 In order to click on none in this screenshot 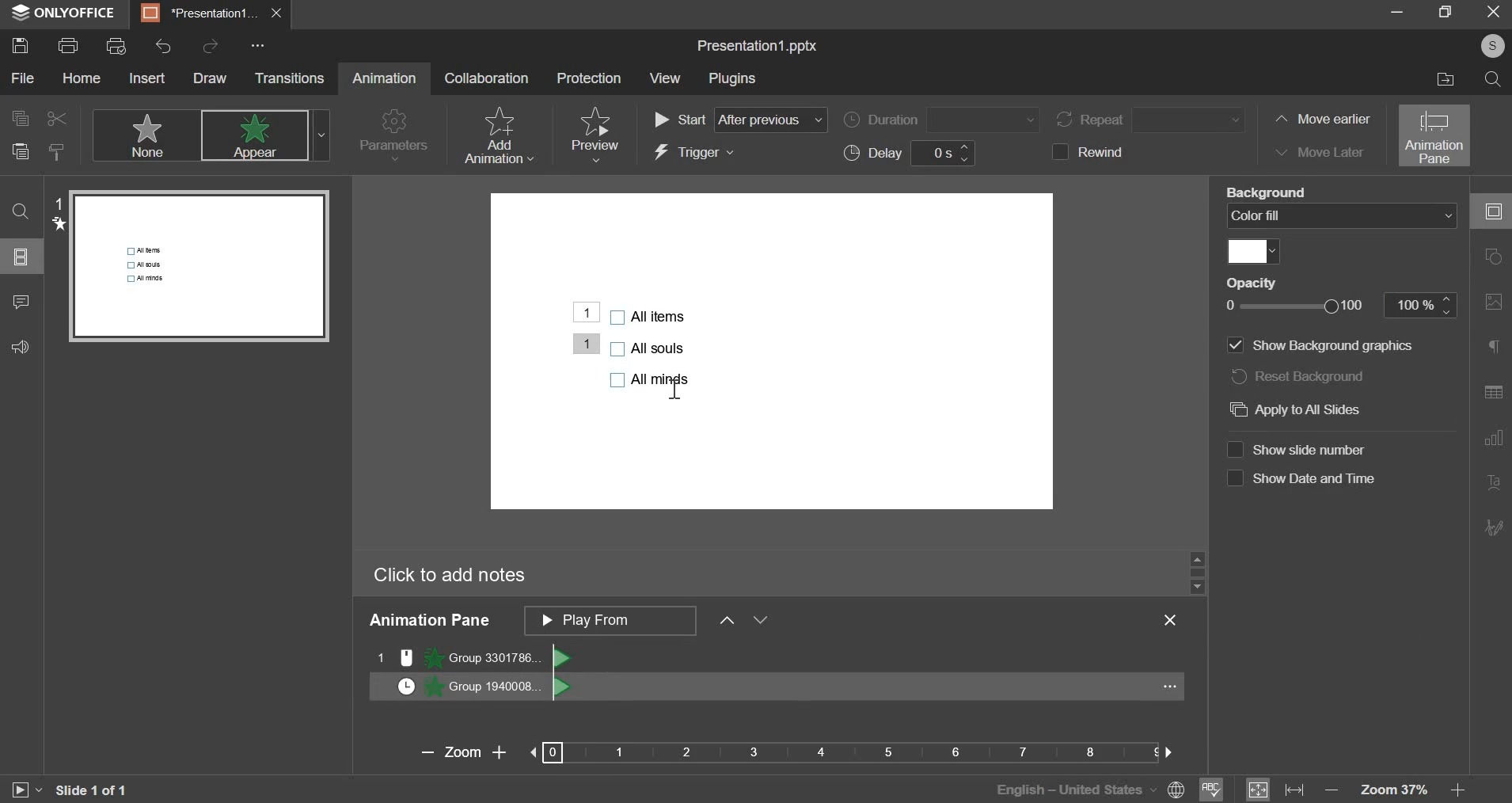, I will do `click(145, 135)`.